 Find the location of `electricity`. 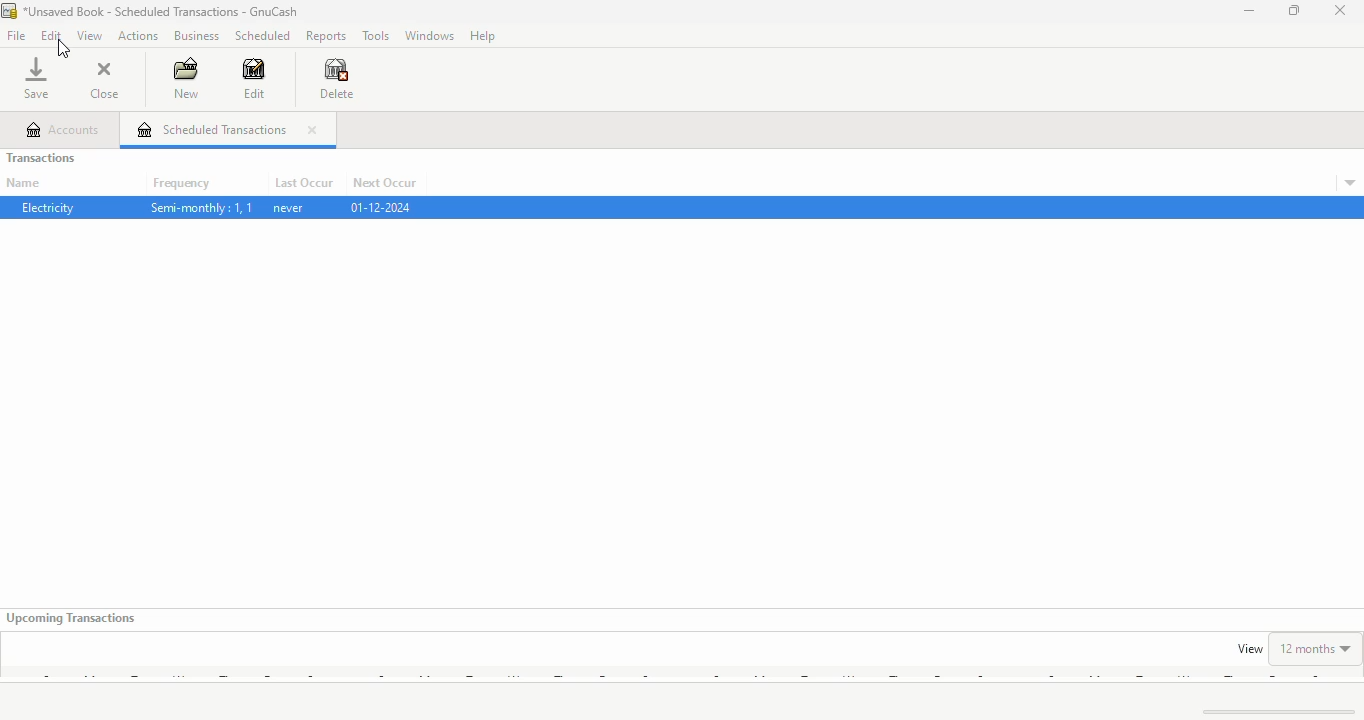

electricity is located at coordinates (49, 207).